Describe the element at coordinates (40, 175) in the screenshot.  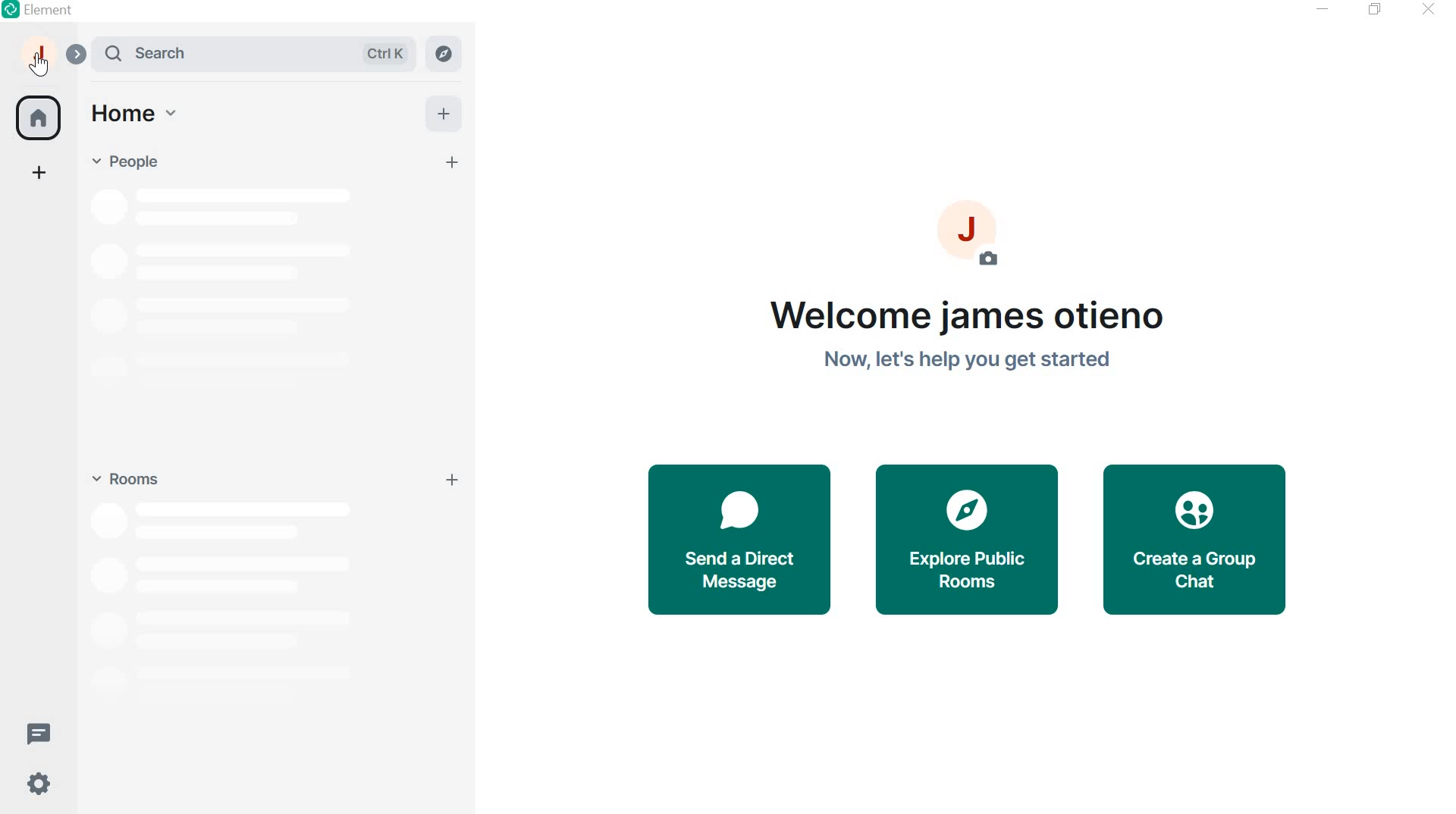
I see `CREATE A SPACE` at that location.